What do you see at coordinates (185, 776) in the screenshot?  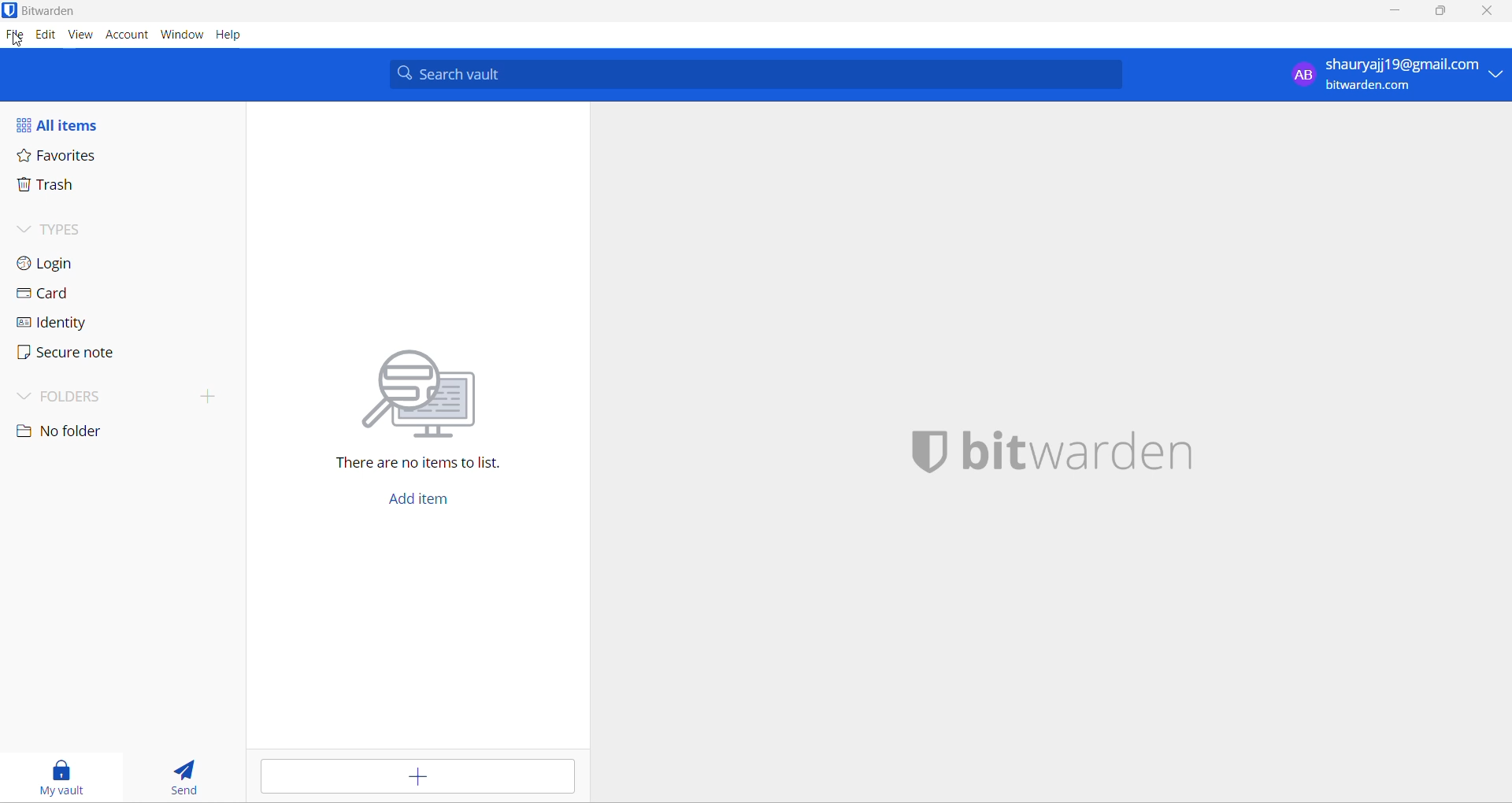 I see `send ` at bounding box center [185, 776].